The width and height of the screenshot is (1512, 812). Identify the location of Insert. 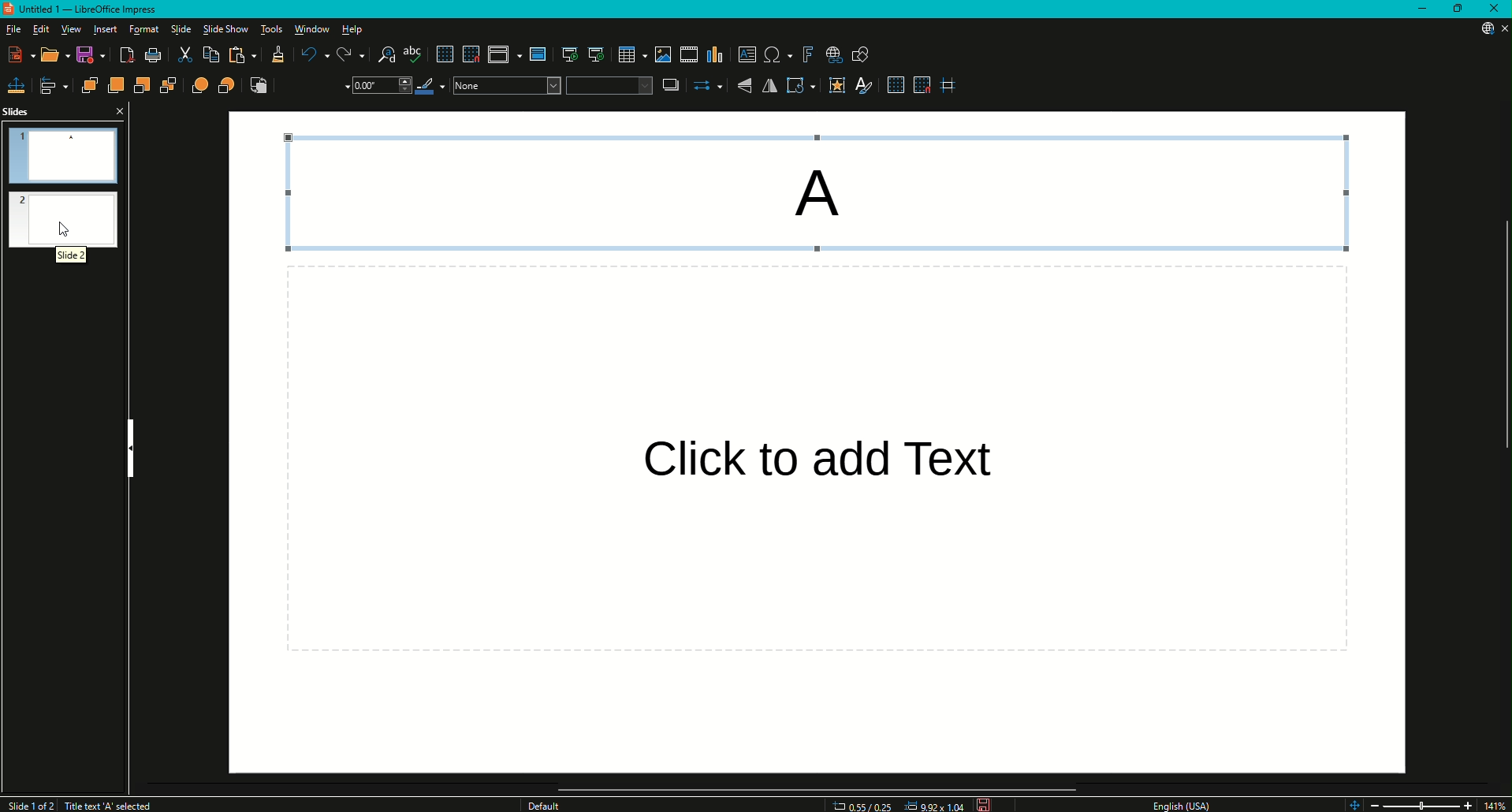
(107, 30).